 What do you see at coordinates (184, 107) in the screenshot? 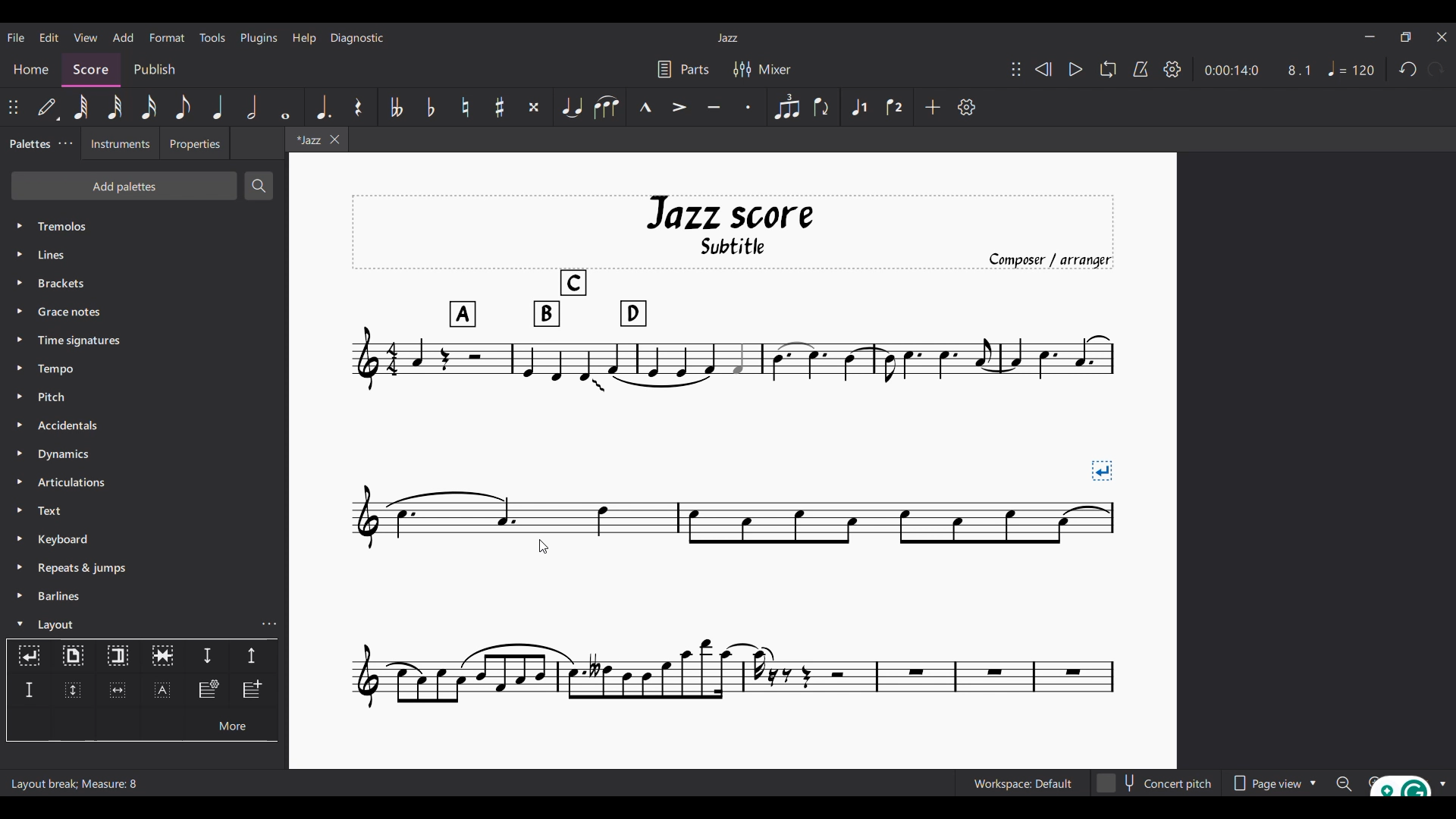
I see `8th note` at bounding box center [184, 107].